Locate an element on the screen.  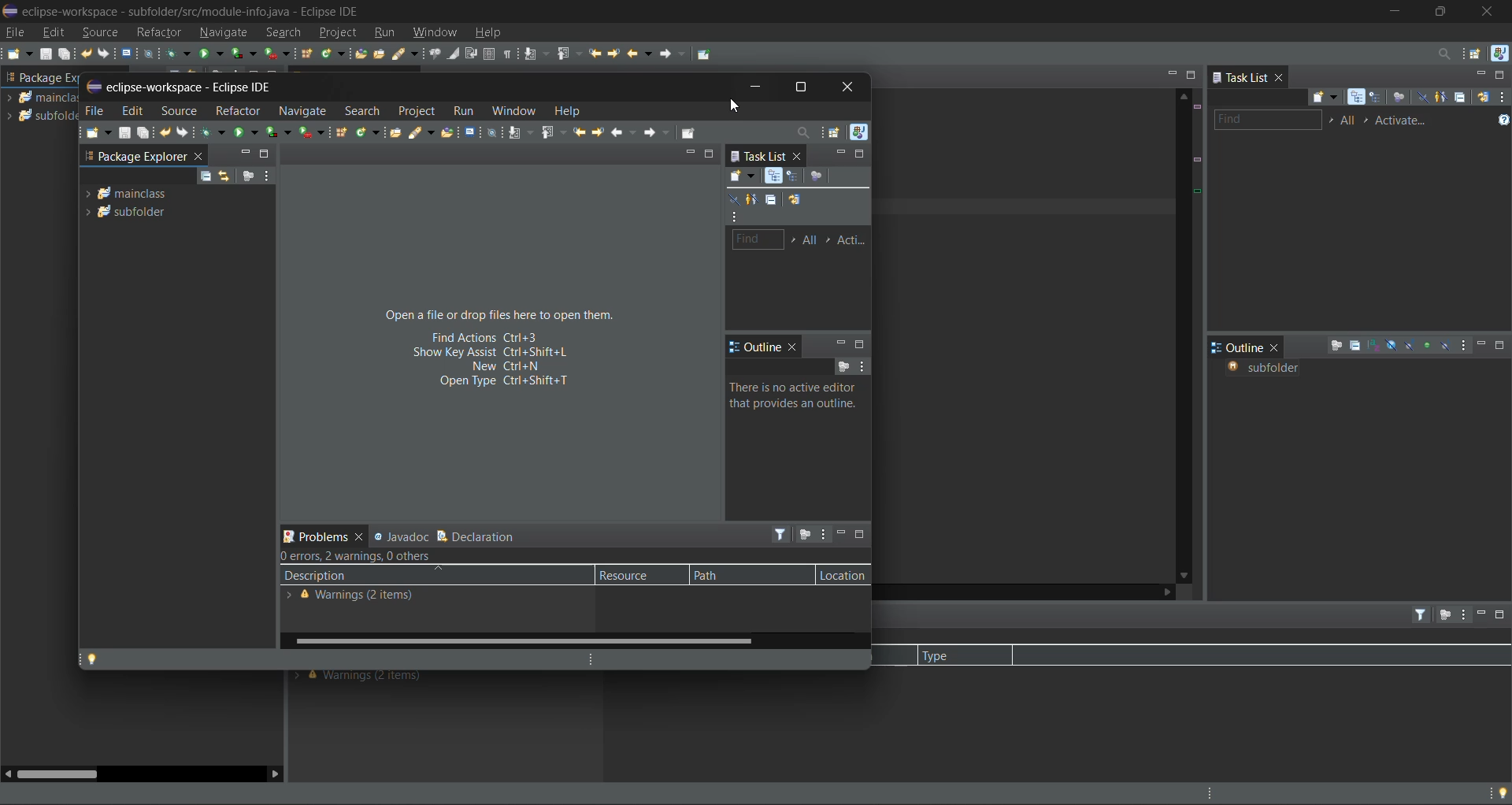
focus on active task is located at coordinates (806, 535).